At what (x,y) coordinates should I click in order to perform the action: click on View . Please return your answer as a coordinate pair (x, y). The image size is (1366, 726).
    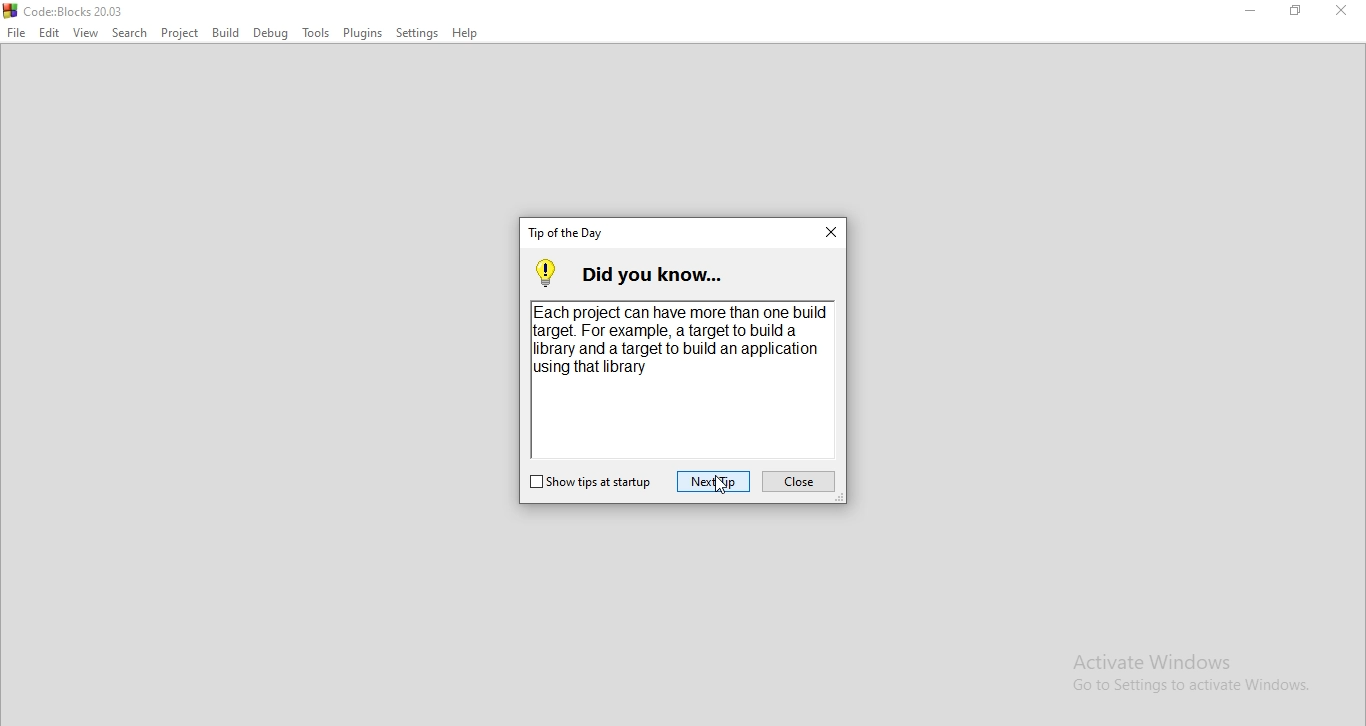
    Looking at the image, I should click on (86, 32).